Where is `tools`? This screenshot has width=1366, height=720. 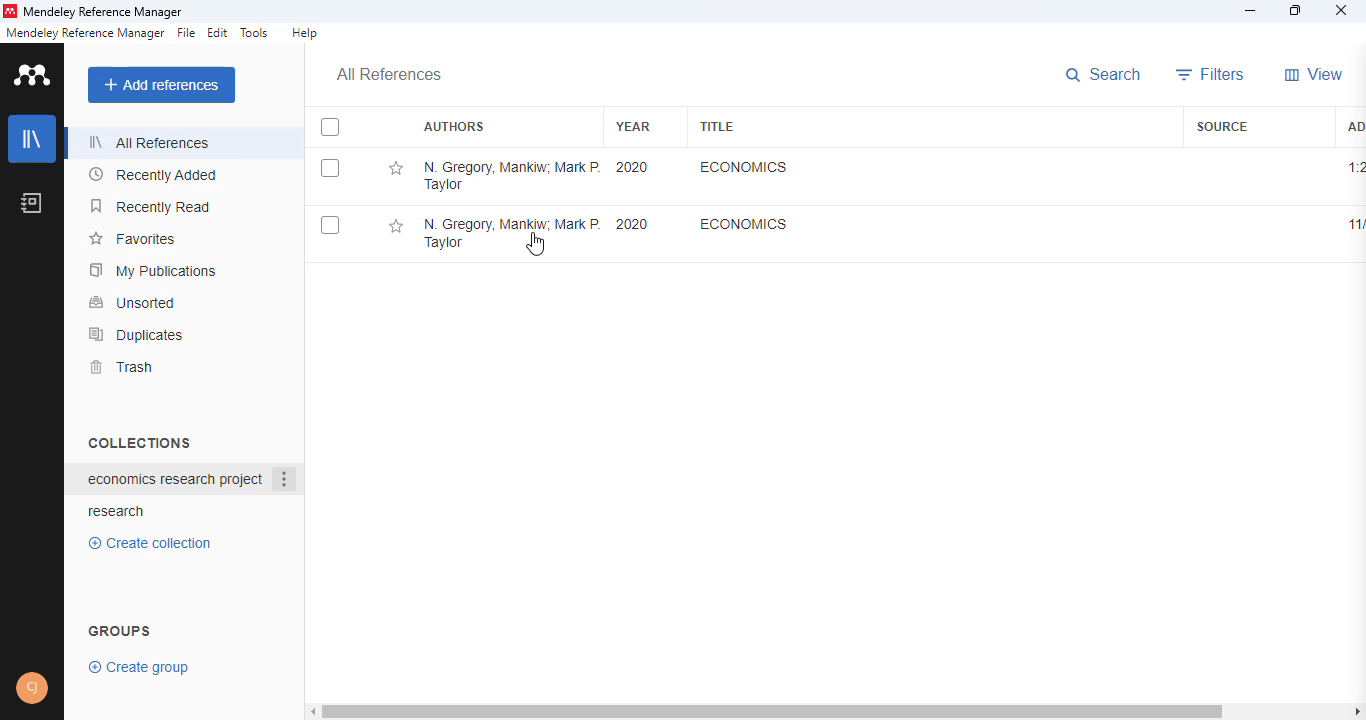
tools is located at coordinates (255, 33).